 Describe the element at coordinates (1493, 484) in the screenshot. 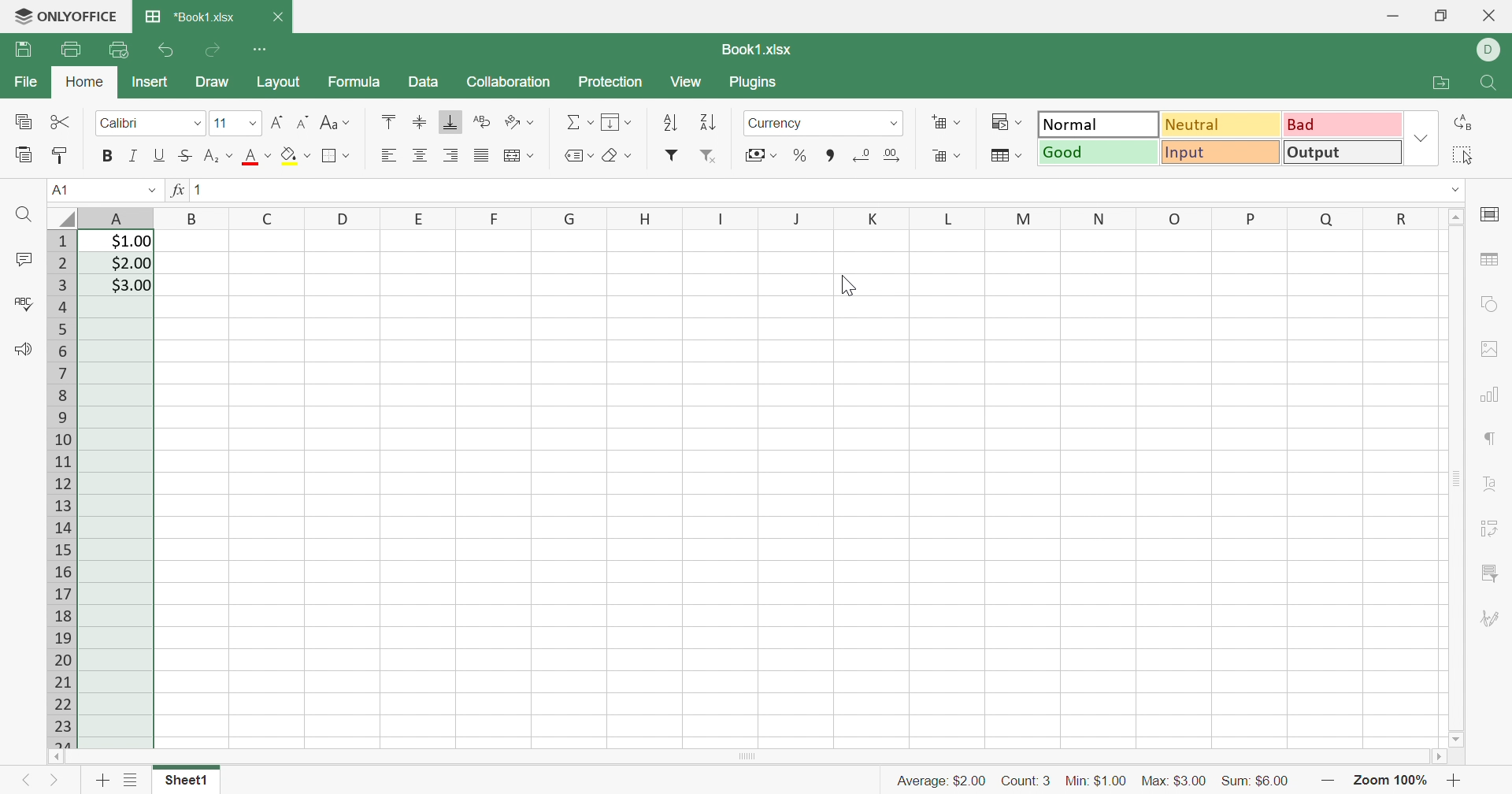

I see `Text art settings` at that location.